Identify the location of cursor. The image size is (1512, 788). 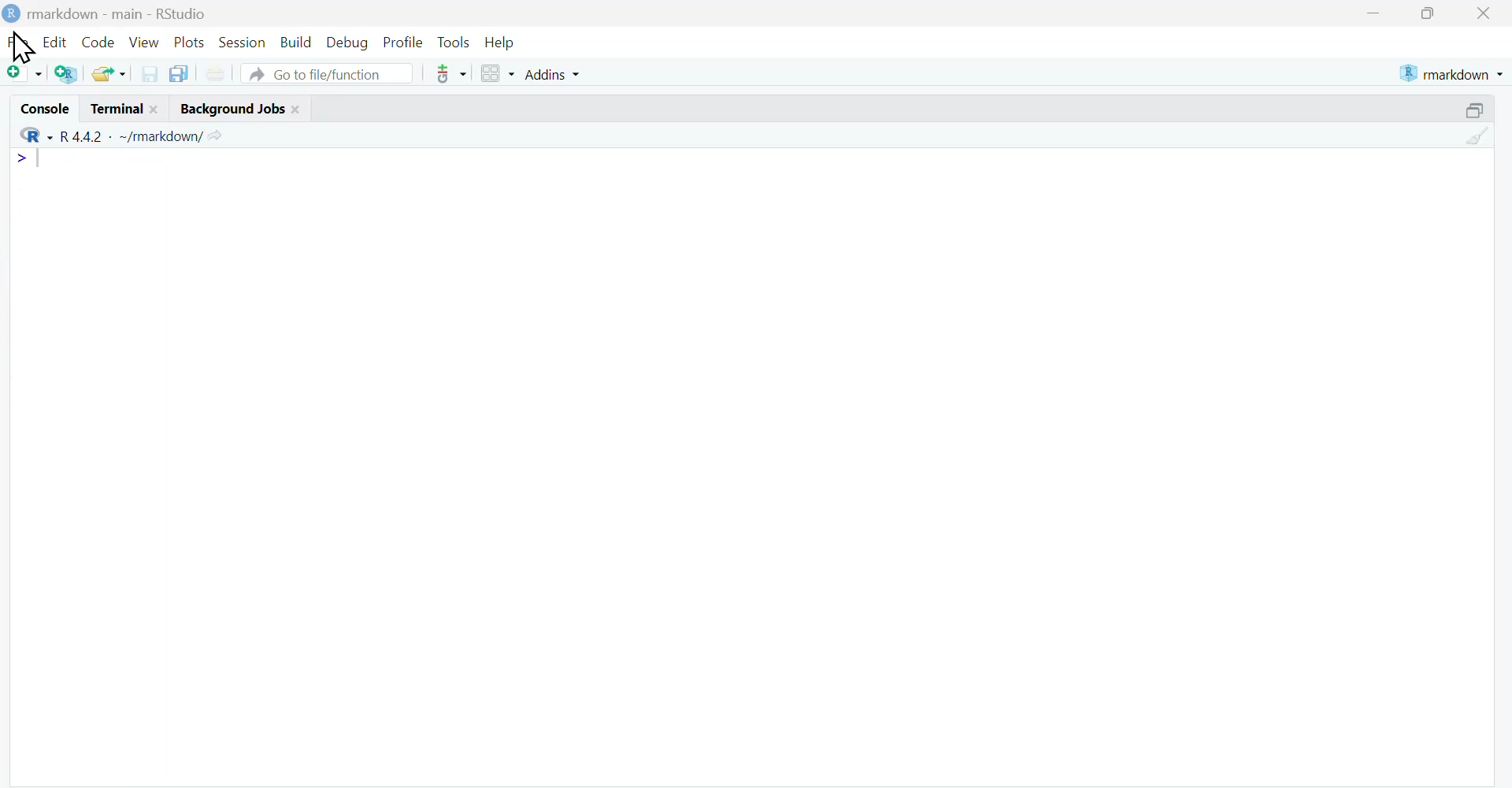
(22, 47).